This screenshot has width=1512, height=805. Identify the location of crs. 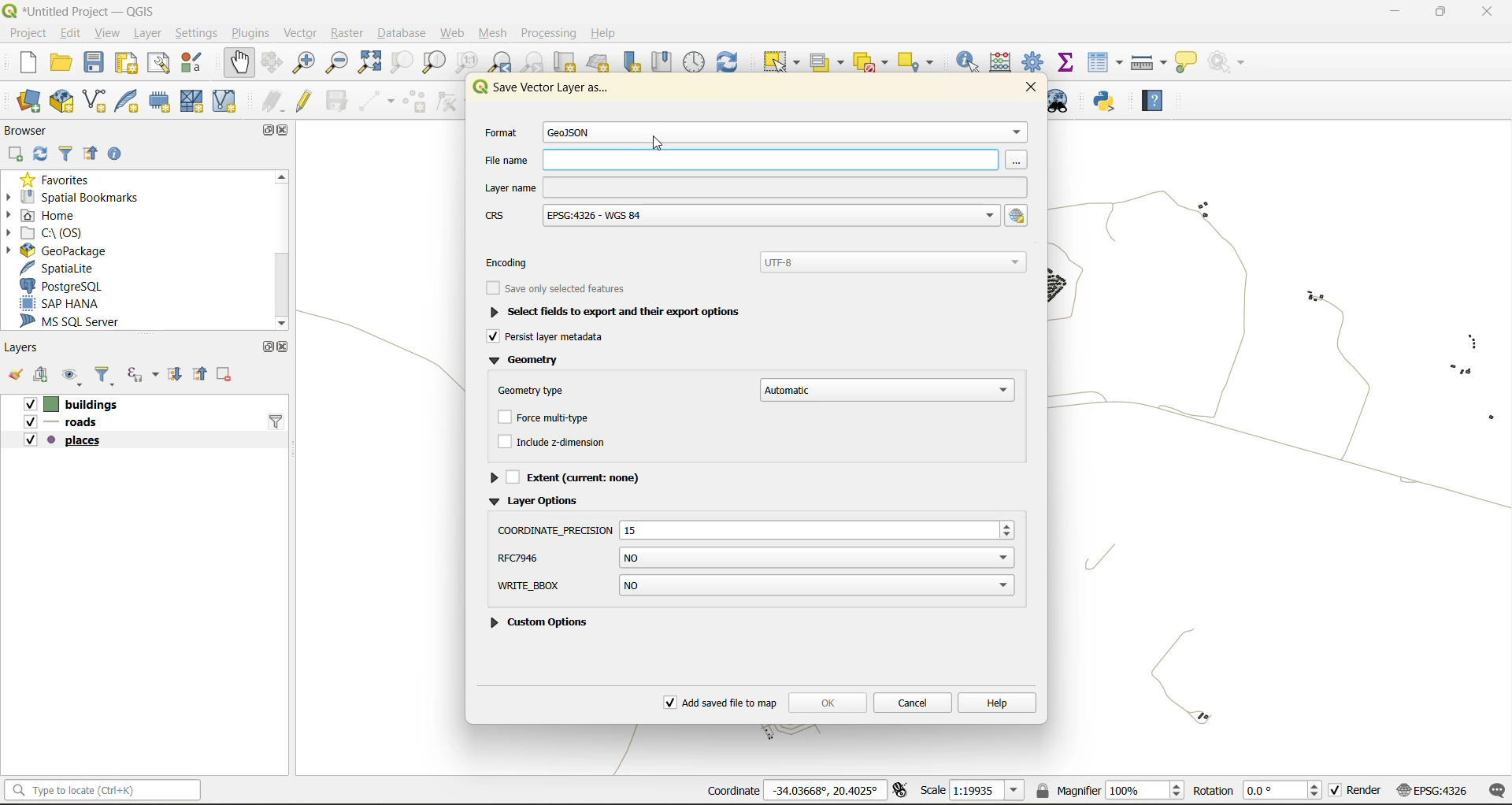
(740, 215).